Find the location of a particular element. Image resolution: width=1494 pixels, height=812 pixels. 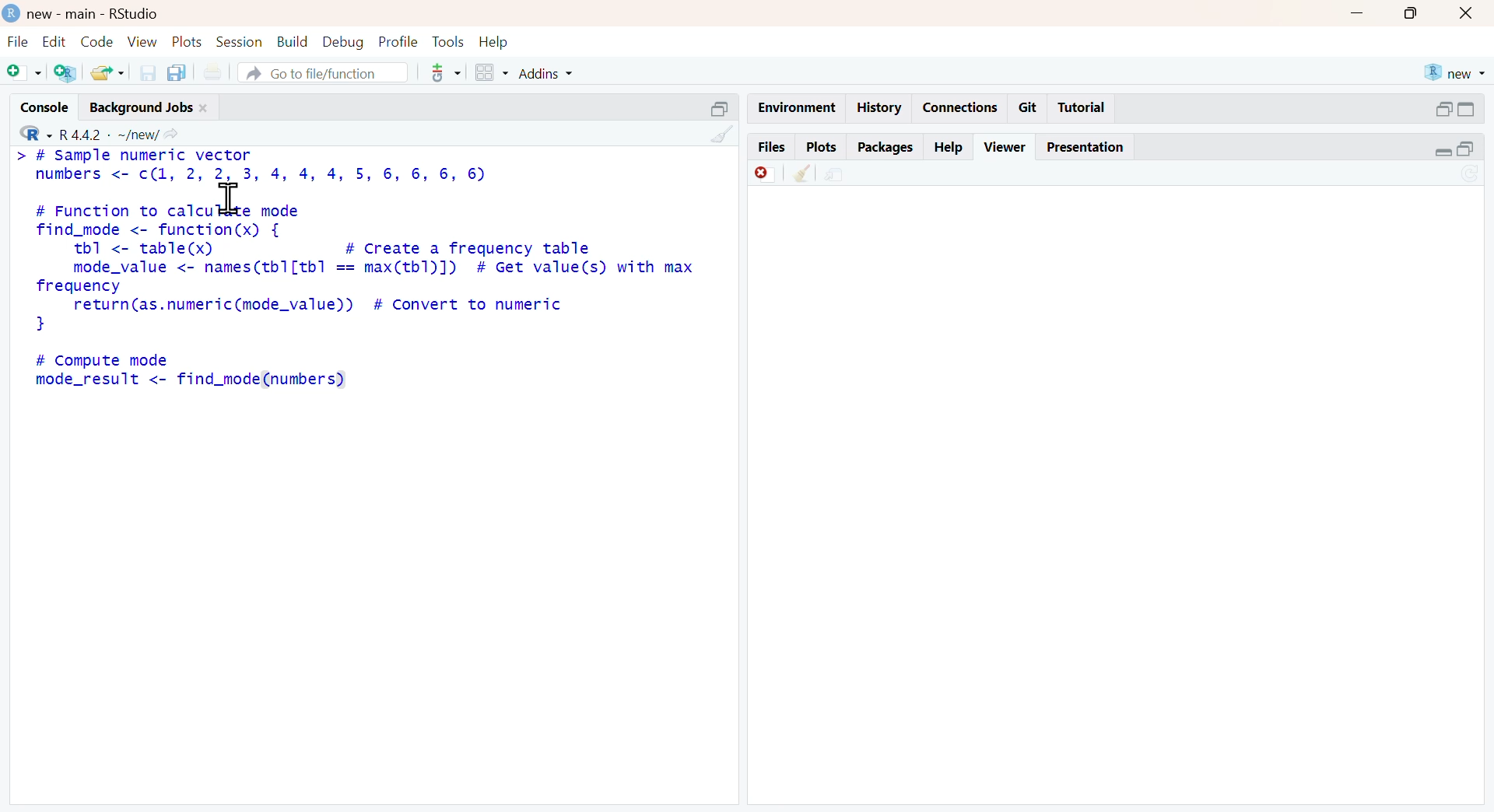

minimise is located at coordinates (1357, 14).